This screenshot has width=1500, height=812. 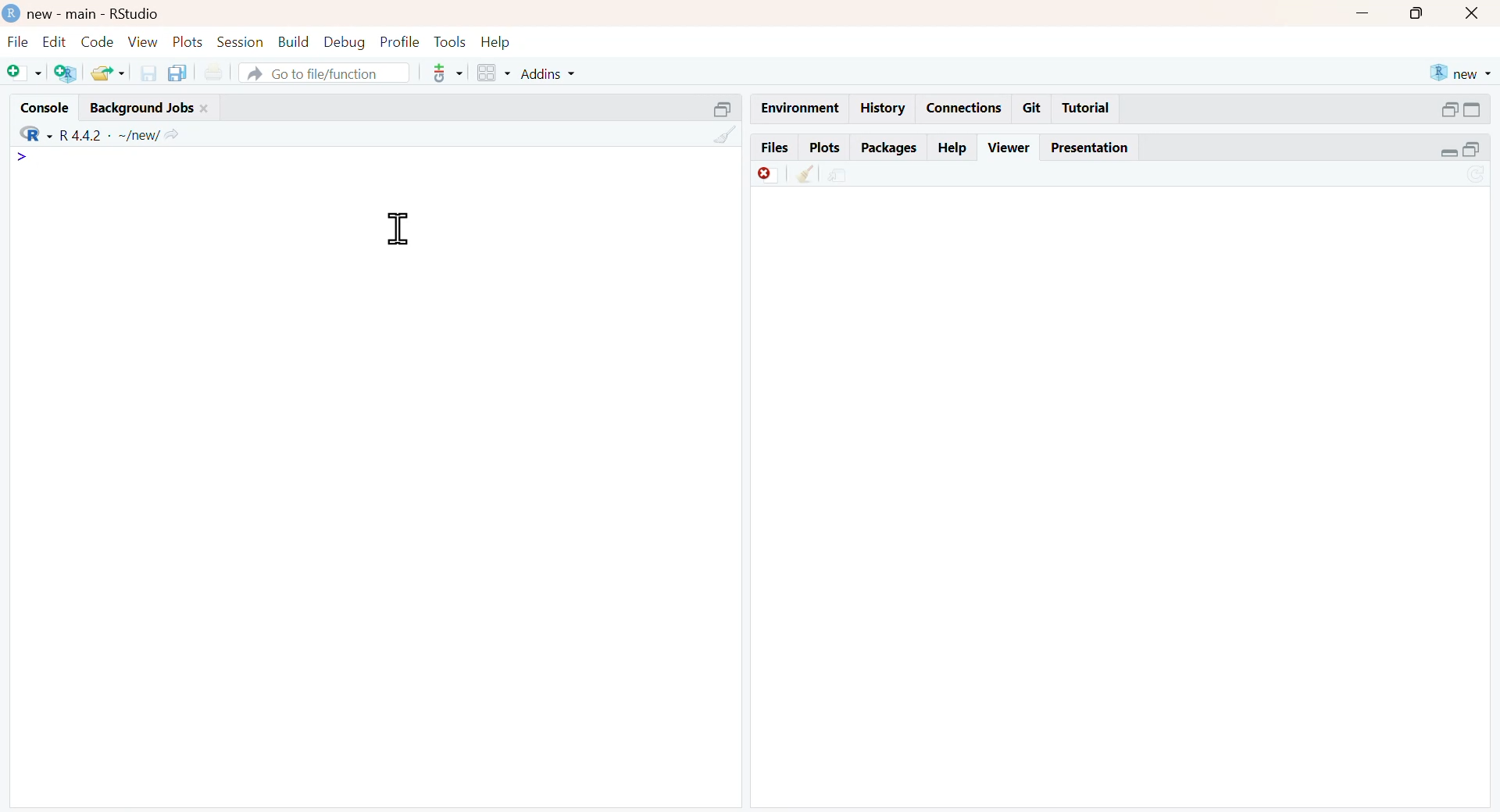 I want to click on Profile, so click(x=397, y=40).